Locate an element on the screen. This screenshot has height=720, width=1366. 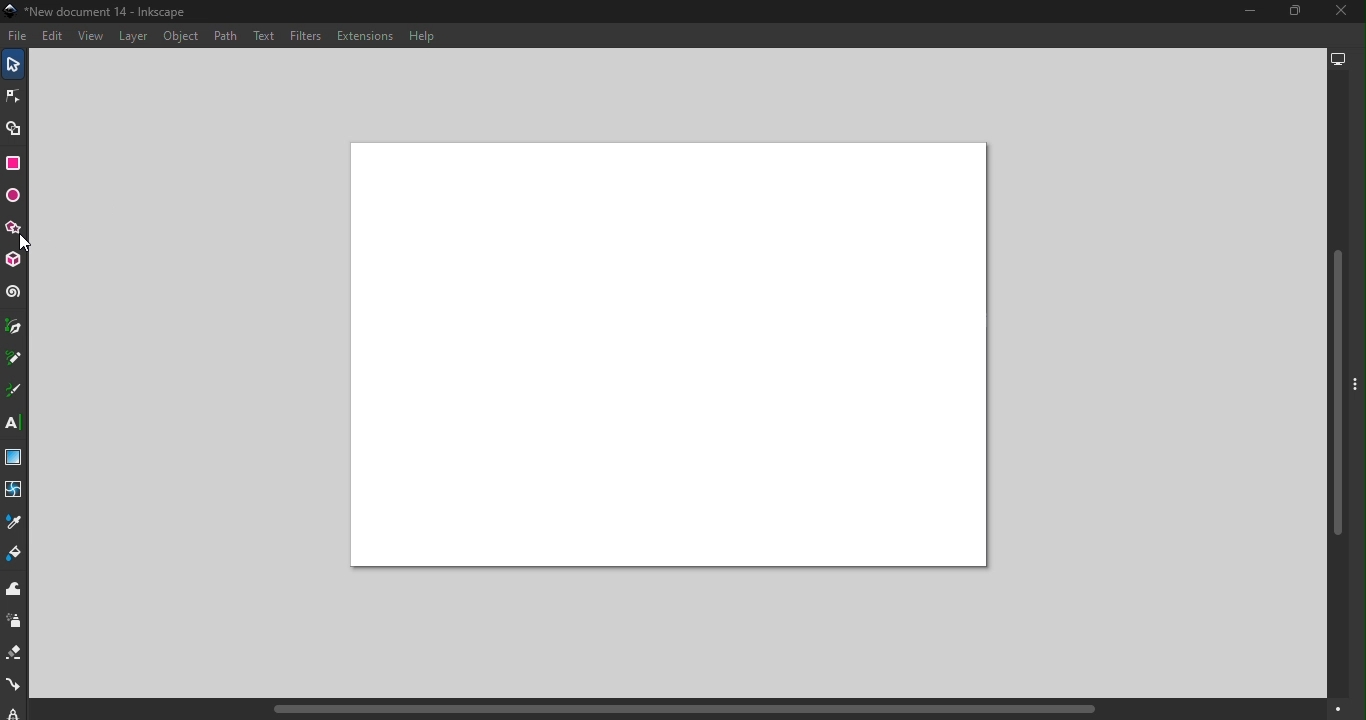
Pen tool is located at coordinates (15, 327).